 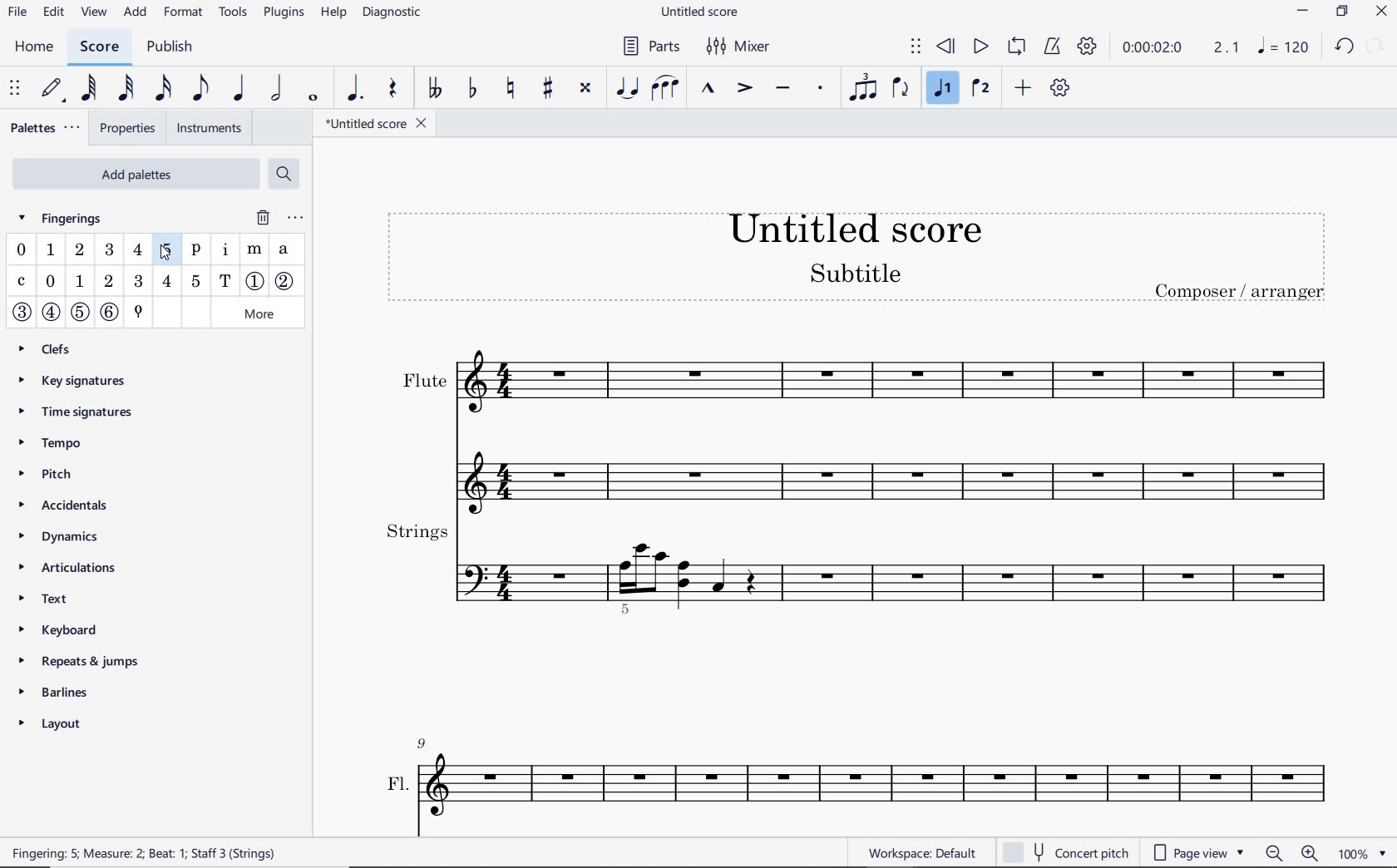 What do you see at coordinates (1341, 12) in the screenshot?
I see `RESTORE DOWN` at bounding box center [1341, 12].